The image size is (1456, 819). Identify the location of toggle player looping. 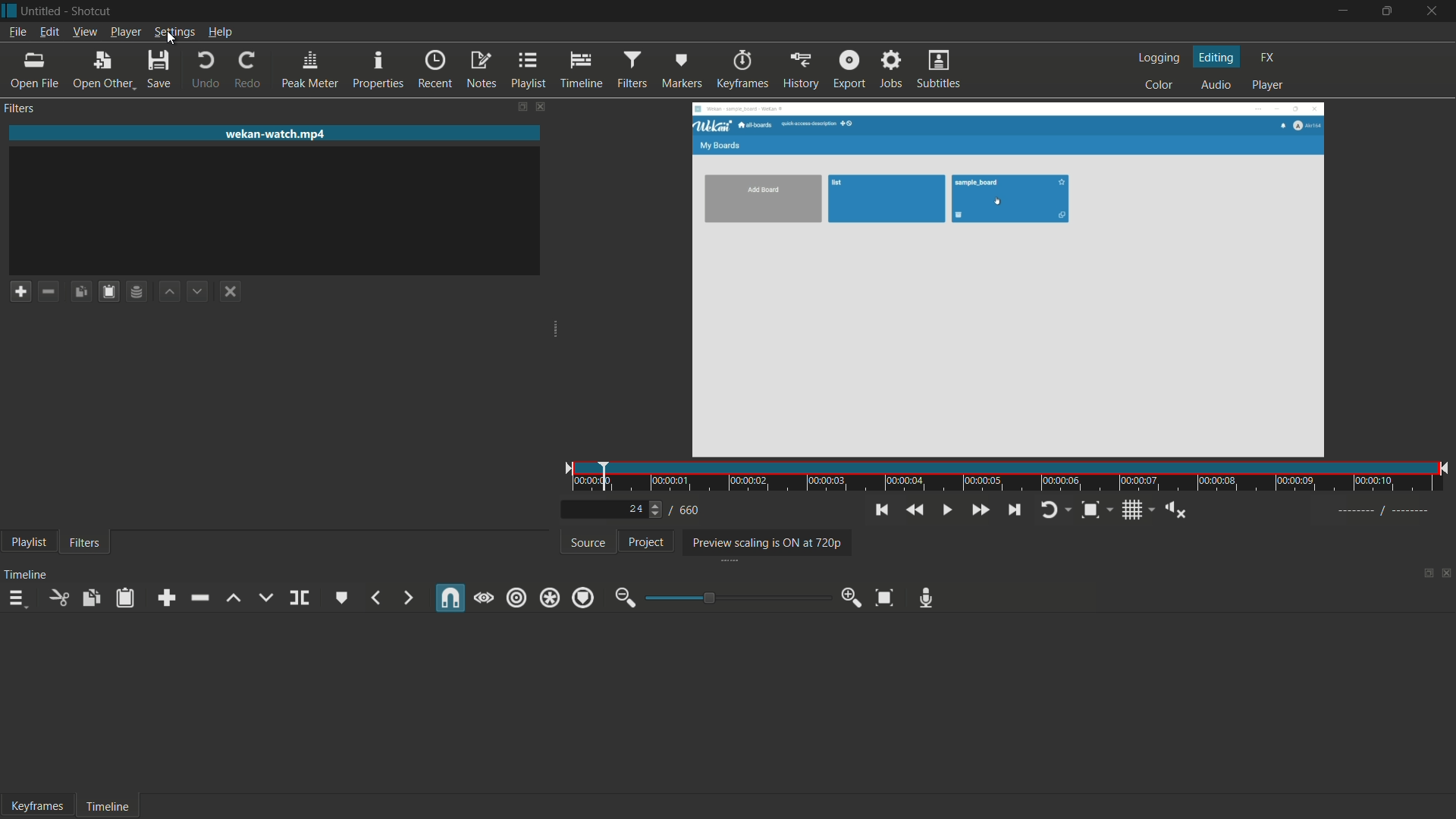
(1050, 510).